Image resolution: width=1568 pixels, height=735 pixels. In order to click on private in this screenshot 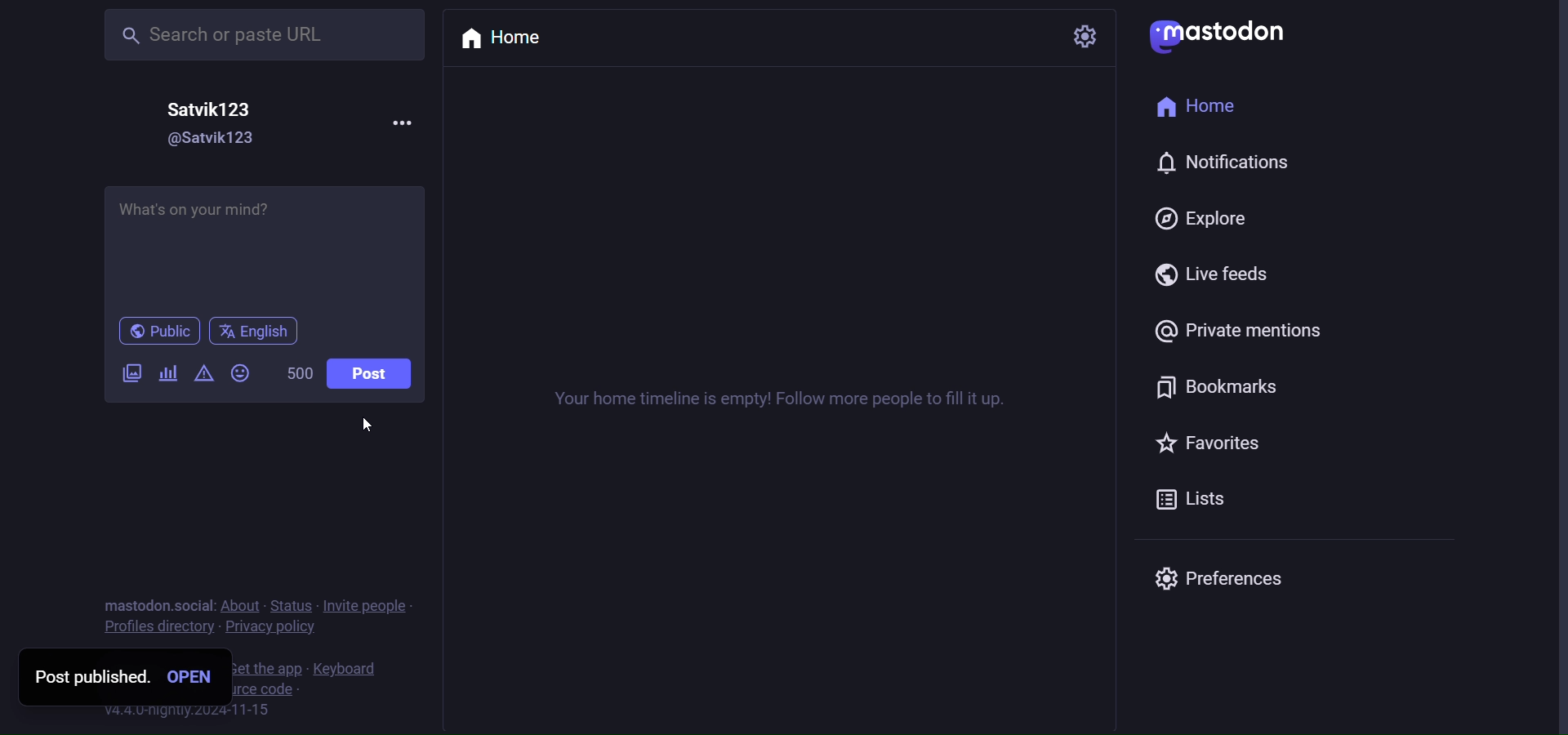, I will do `click(1247, 332)`.